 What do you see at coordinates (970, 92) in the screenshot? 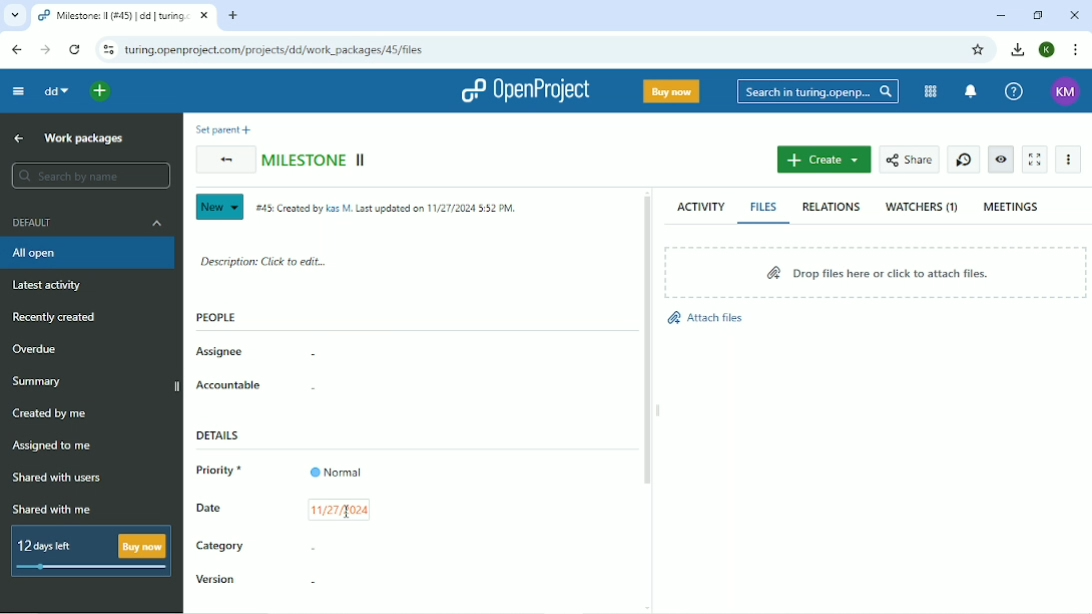
I see `To notification center` at bounding box center [970, 92].